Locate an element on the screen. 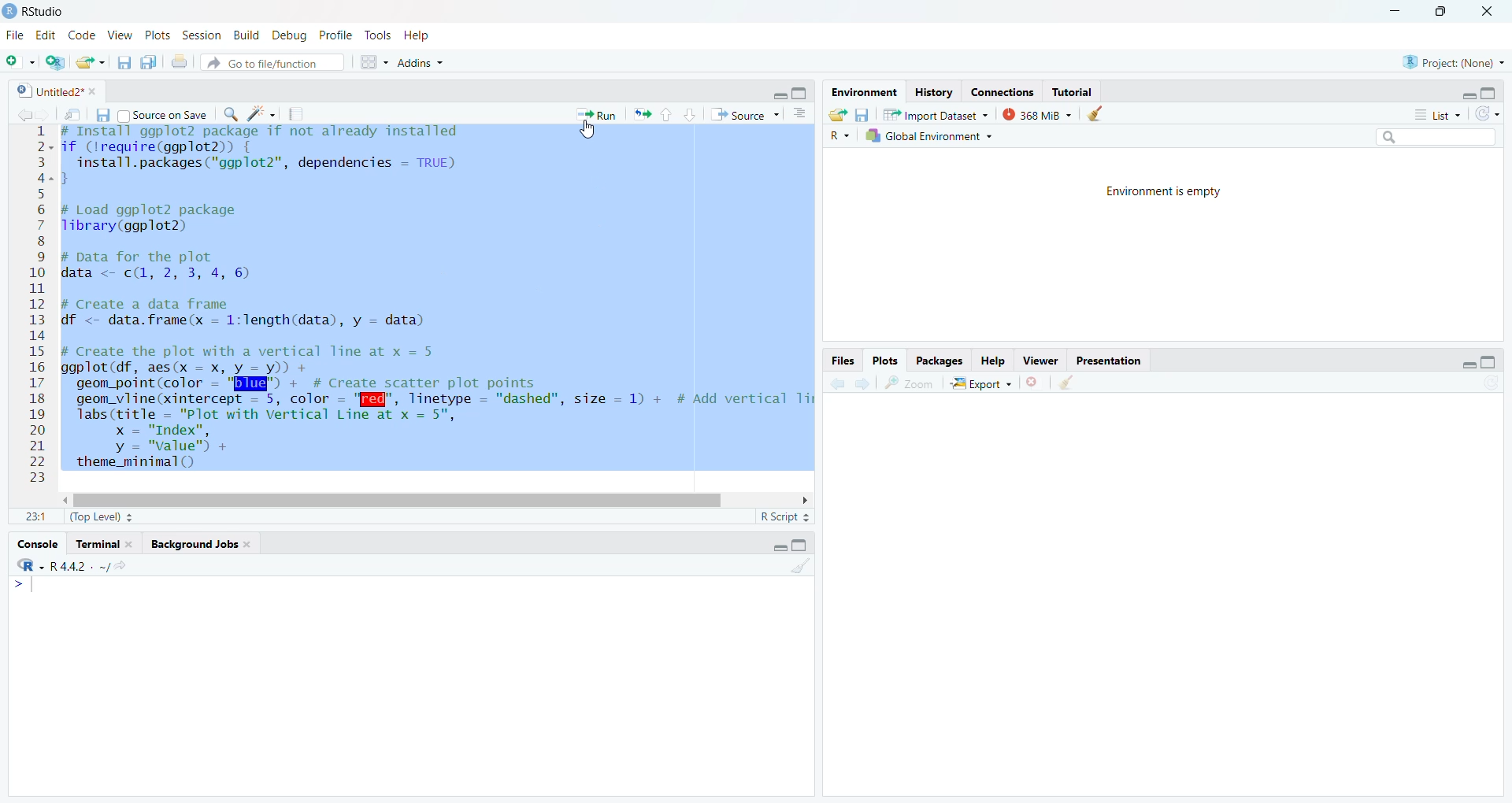 The height and width of the screenshot is (803, 1512). Help is located at coordinates (423, 35).